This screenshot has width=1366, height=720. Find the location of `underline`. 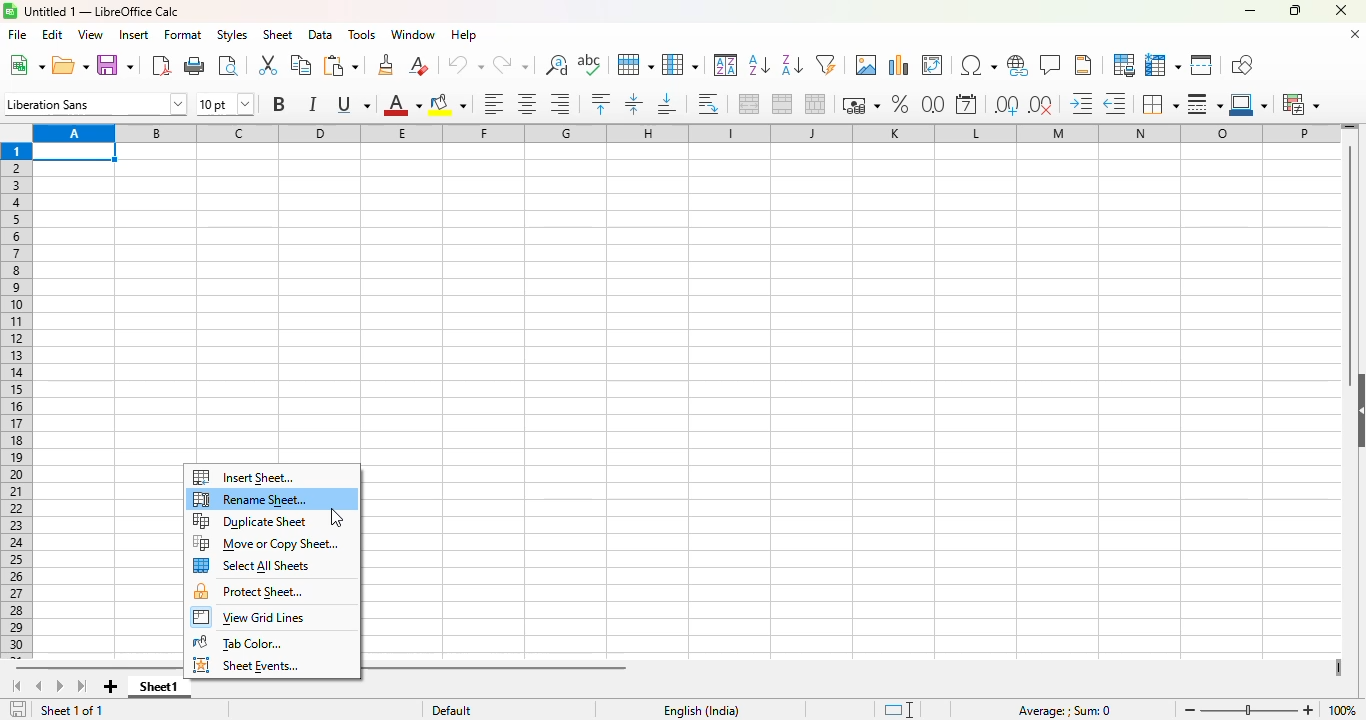

underline is located at coordinates (353, 104).